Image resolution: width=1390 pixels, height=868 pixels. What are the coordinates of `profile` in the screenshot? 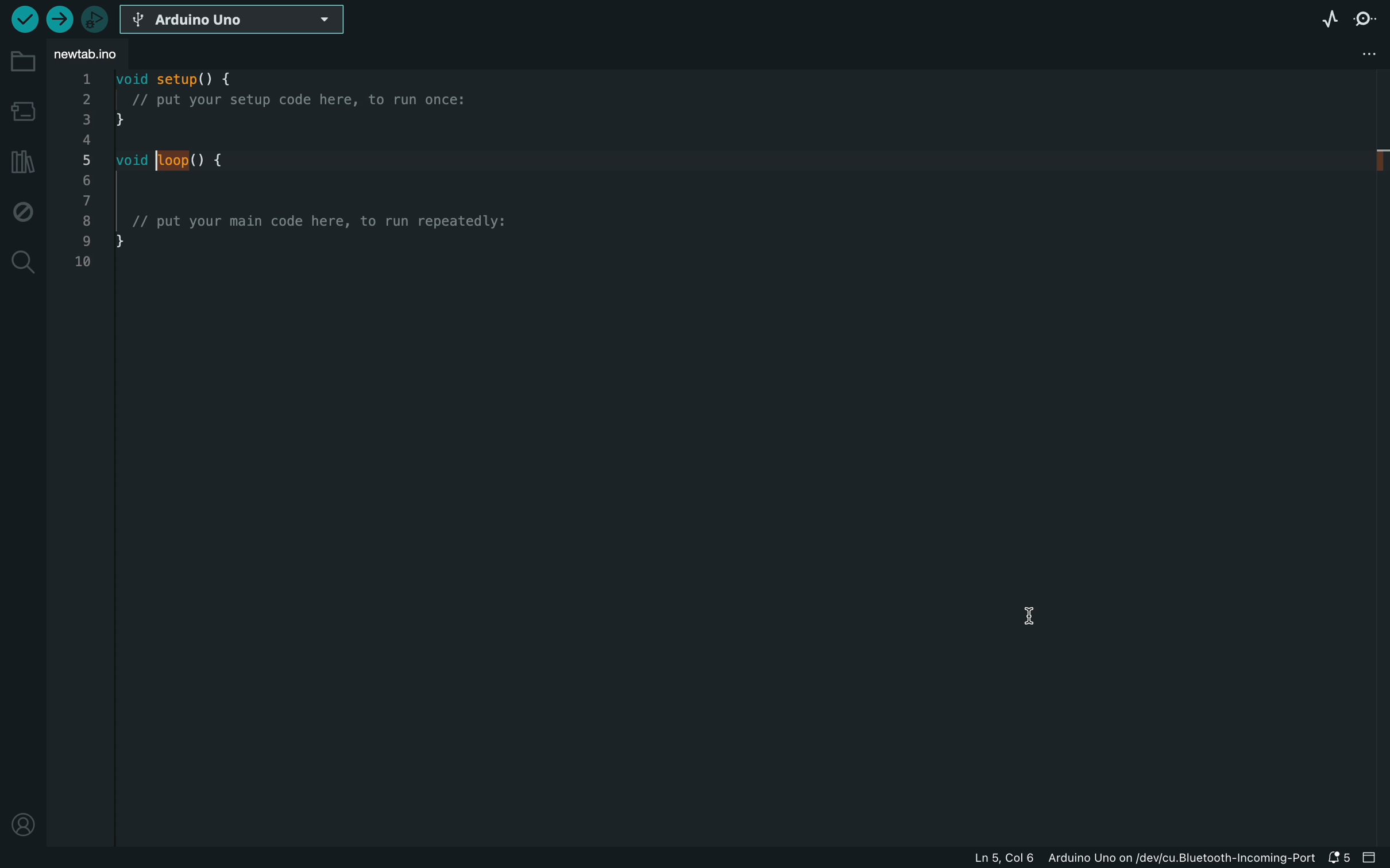 It's located at (25, 821).